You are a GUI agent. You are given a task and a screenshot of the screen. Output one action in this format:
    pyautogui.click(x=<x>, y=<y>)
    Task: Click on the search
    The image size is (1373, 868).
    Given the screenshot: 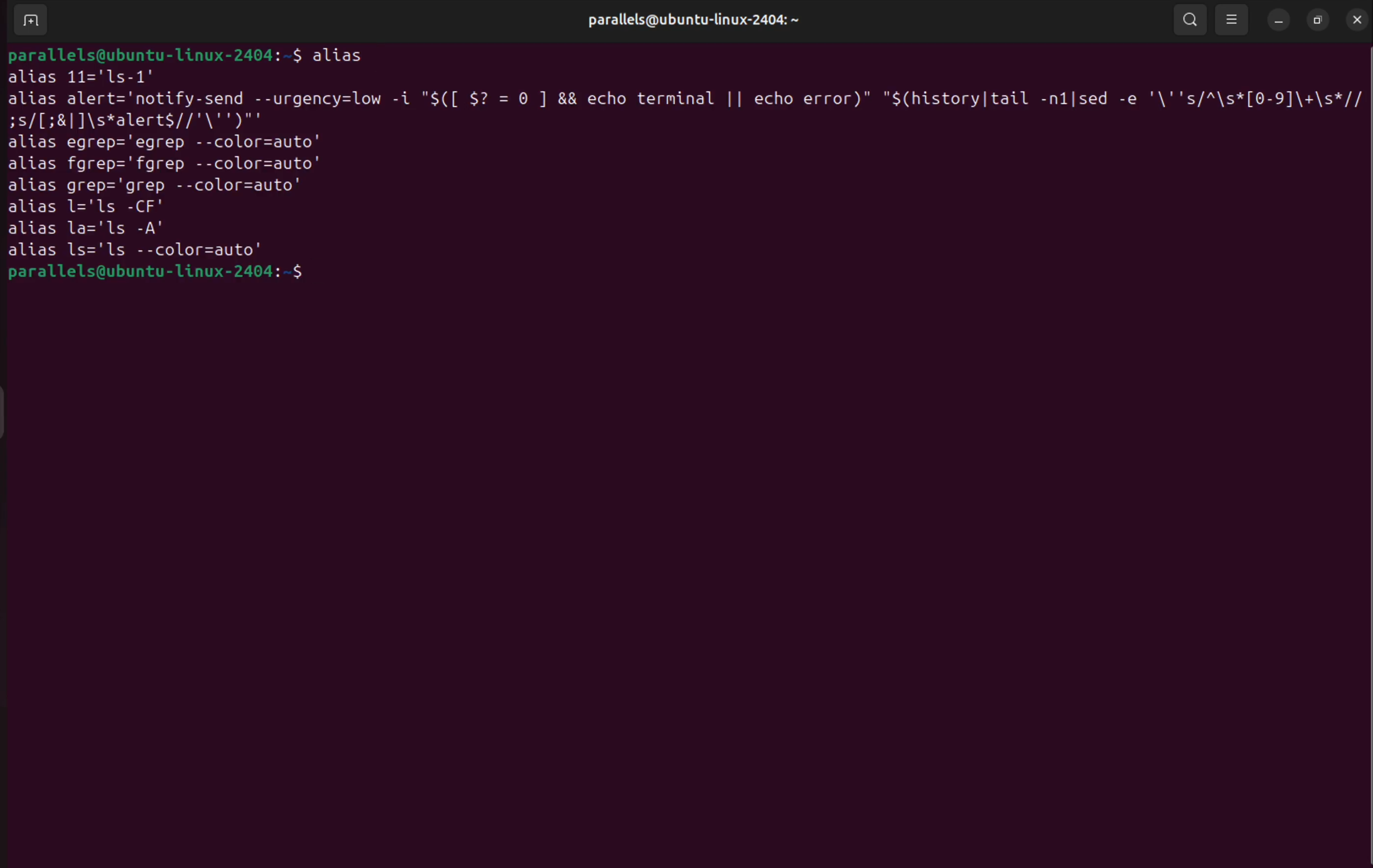 What is the action you would take?
    pyautogui.click(x=1191, y=21)
    